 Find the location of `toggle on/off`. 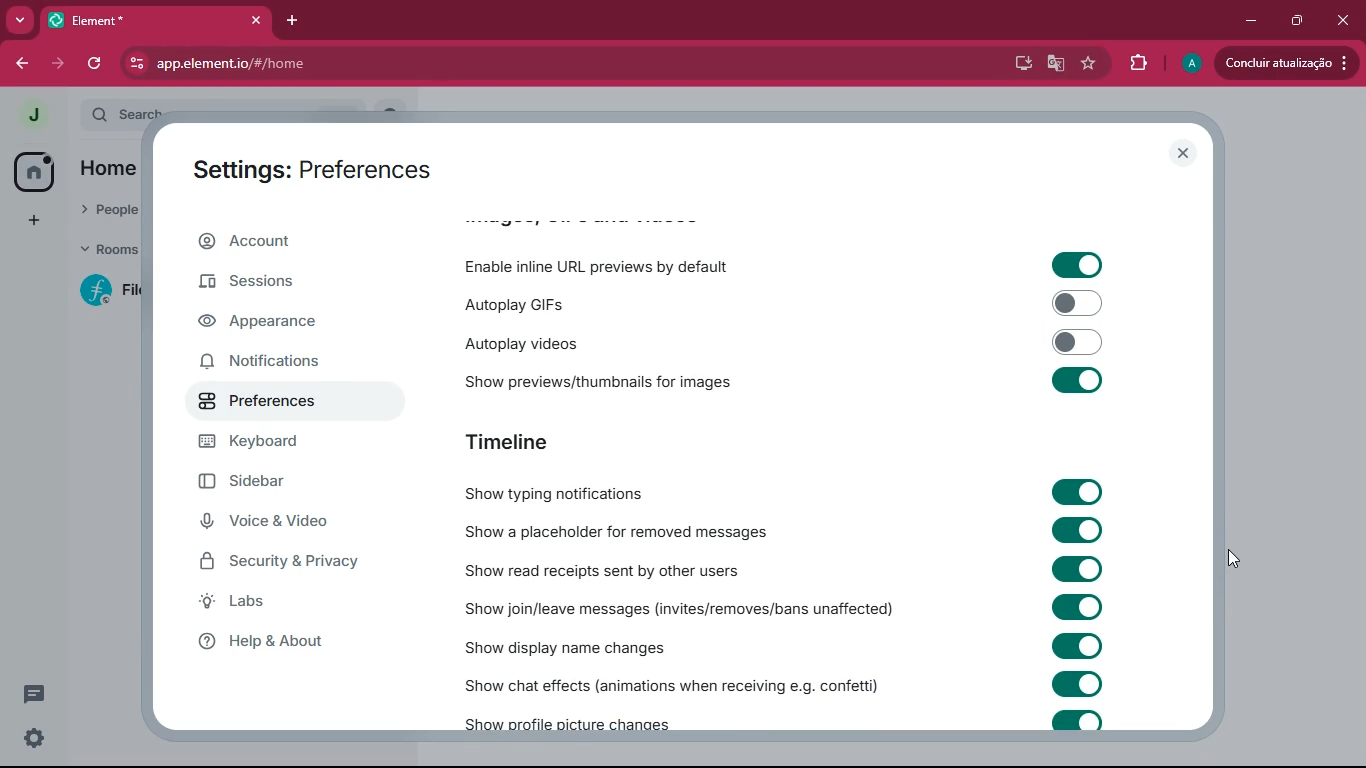

toggle on/off is located at coordinates (1077, 568).